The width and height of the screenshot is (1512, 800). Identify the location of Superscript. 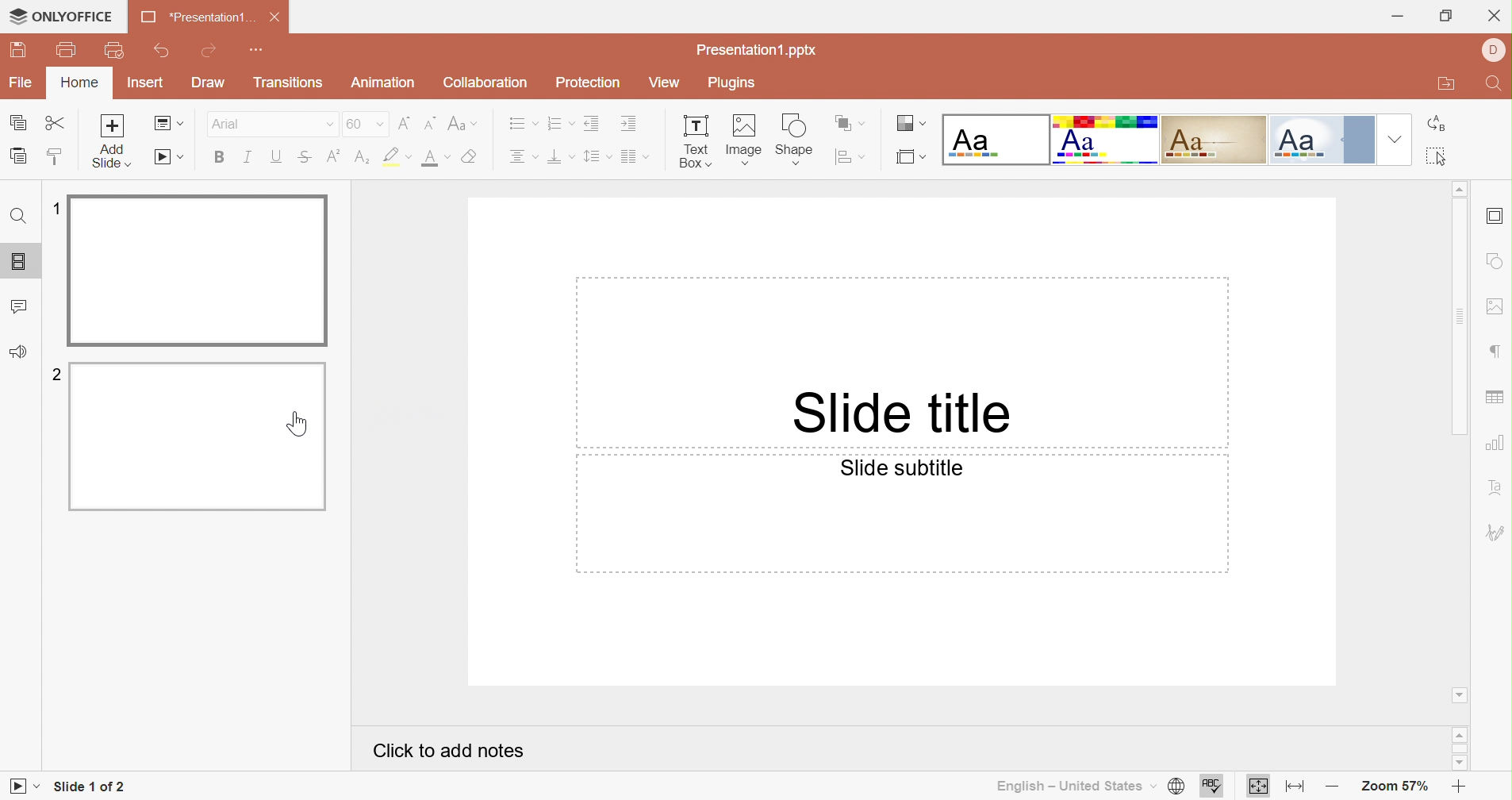
(333, 155).